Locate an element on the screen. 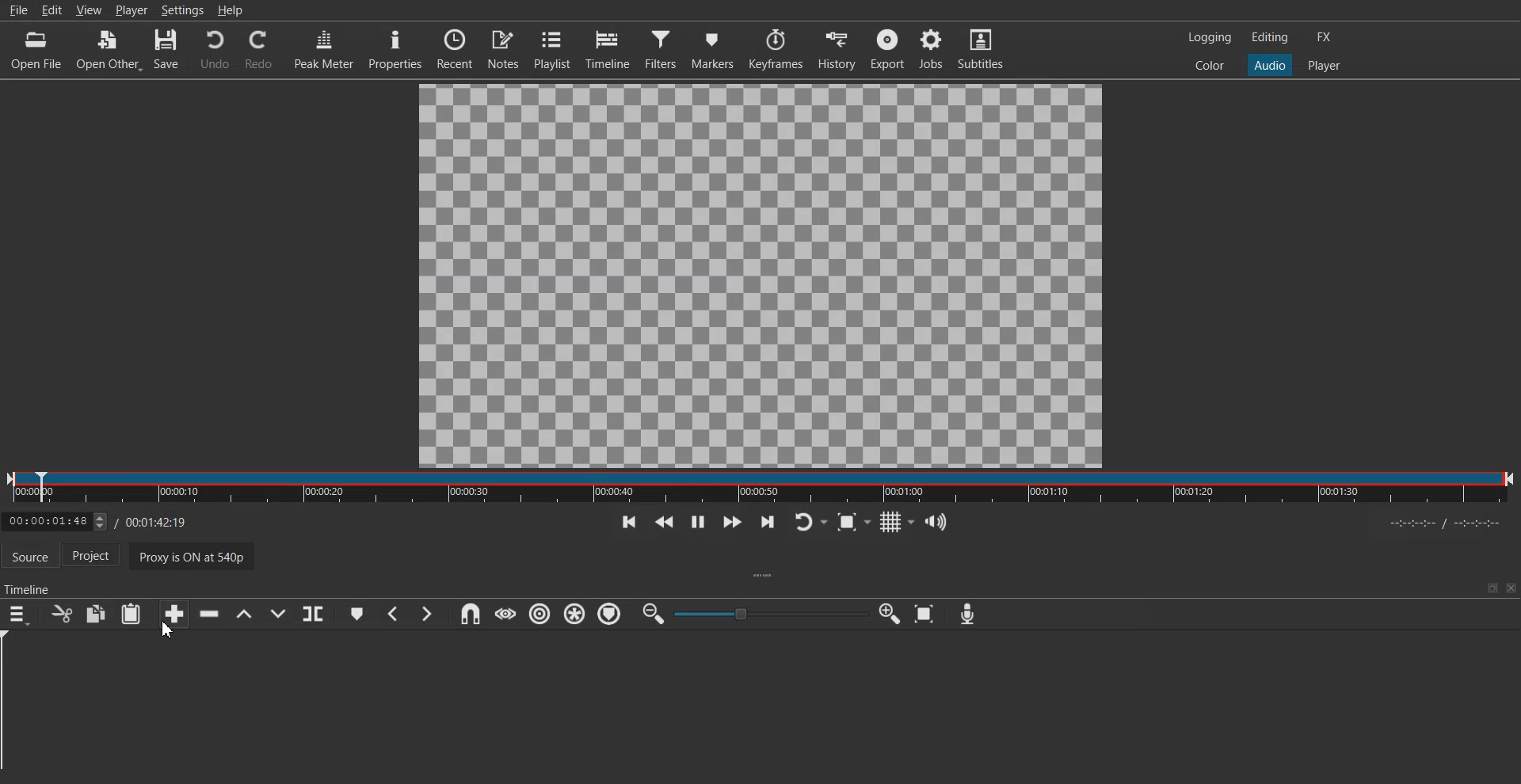  Skip to the previous point is located at coordinates (627, 521).